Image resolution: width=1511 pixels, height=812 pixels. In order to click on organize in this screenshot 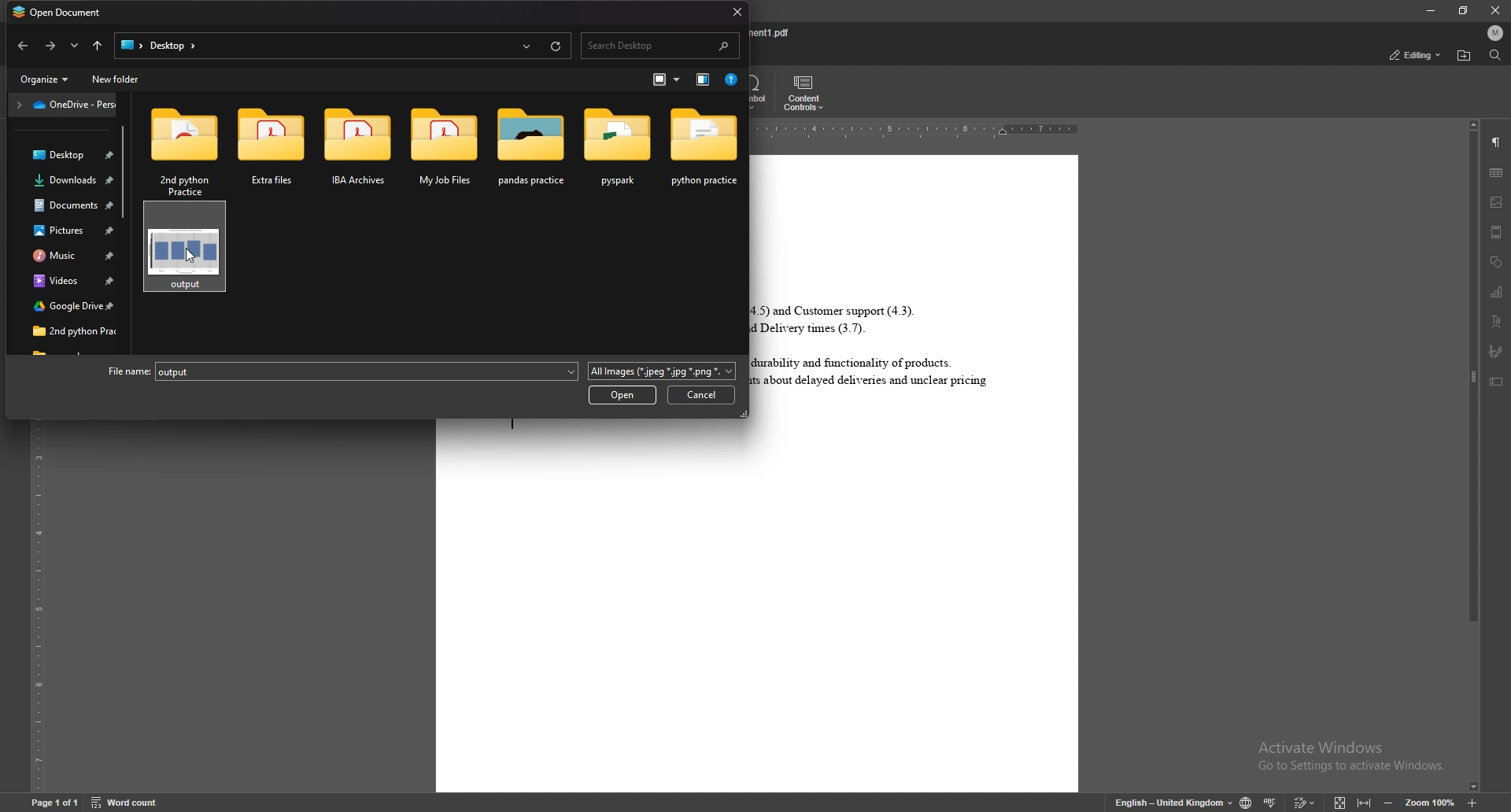, I will do `click(46, 80)`.